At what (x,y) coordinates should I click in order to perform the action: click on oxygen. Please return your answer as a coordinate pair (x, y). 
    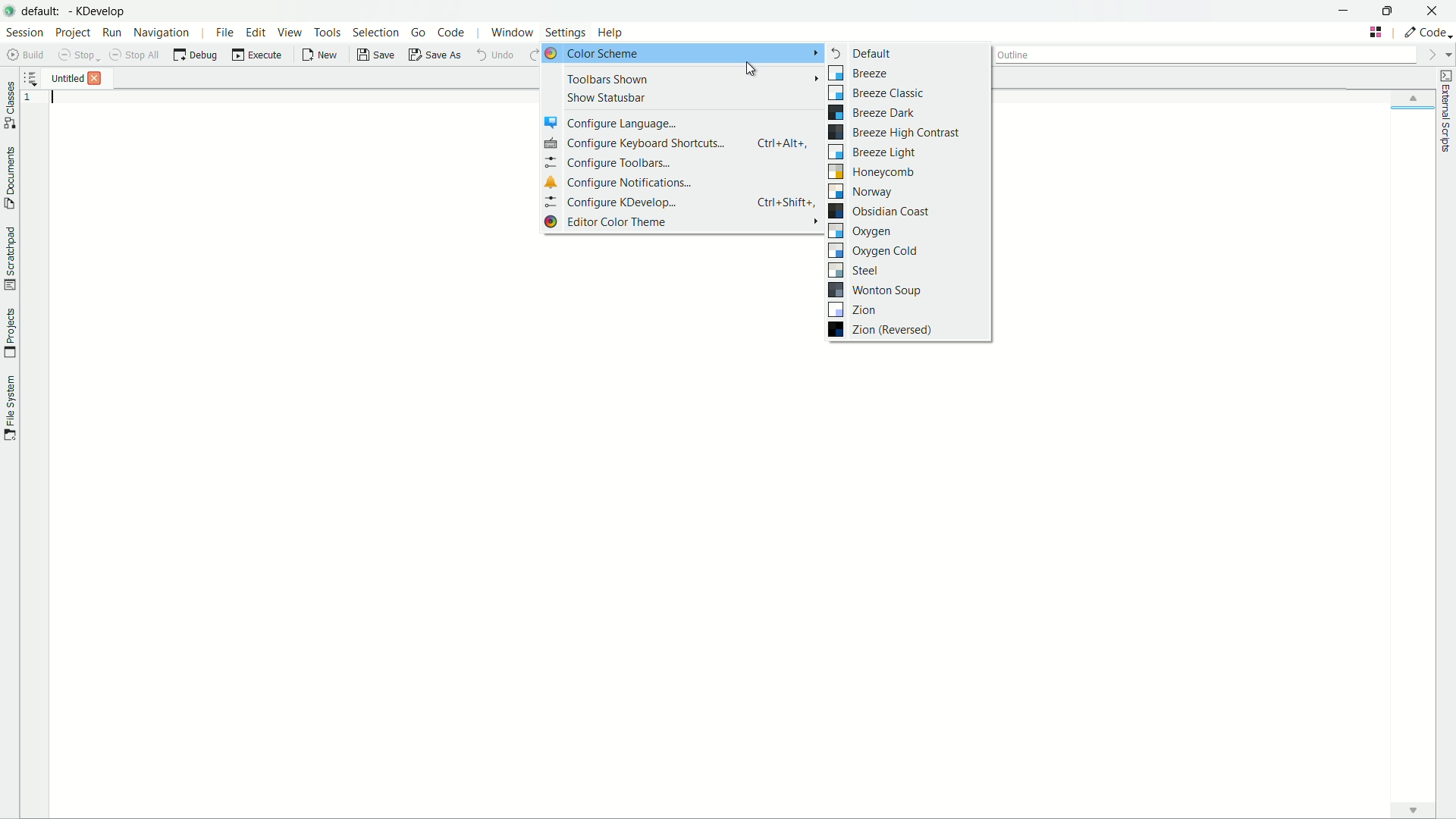
    Looking at the image, I should click on (861, 231).